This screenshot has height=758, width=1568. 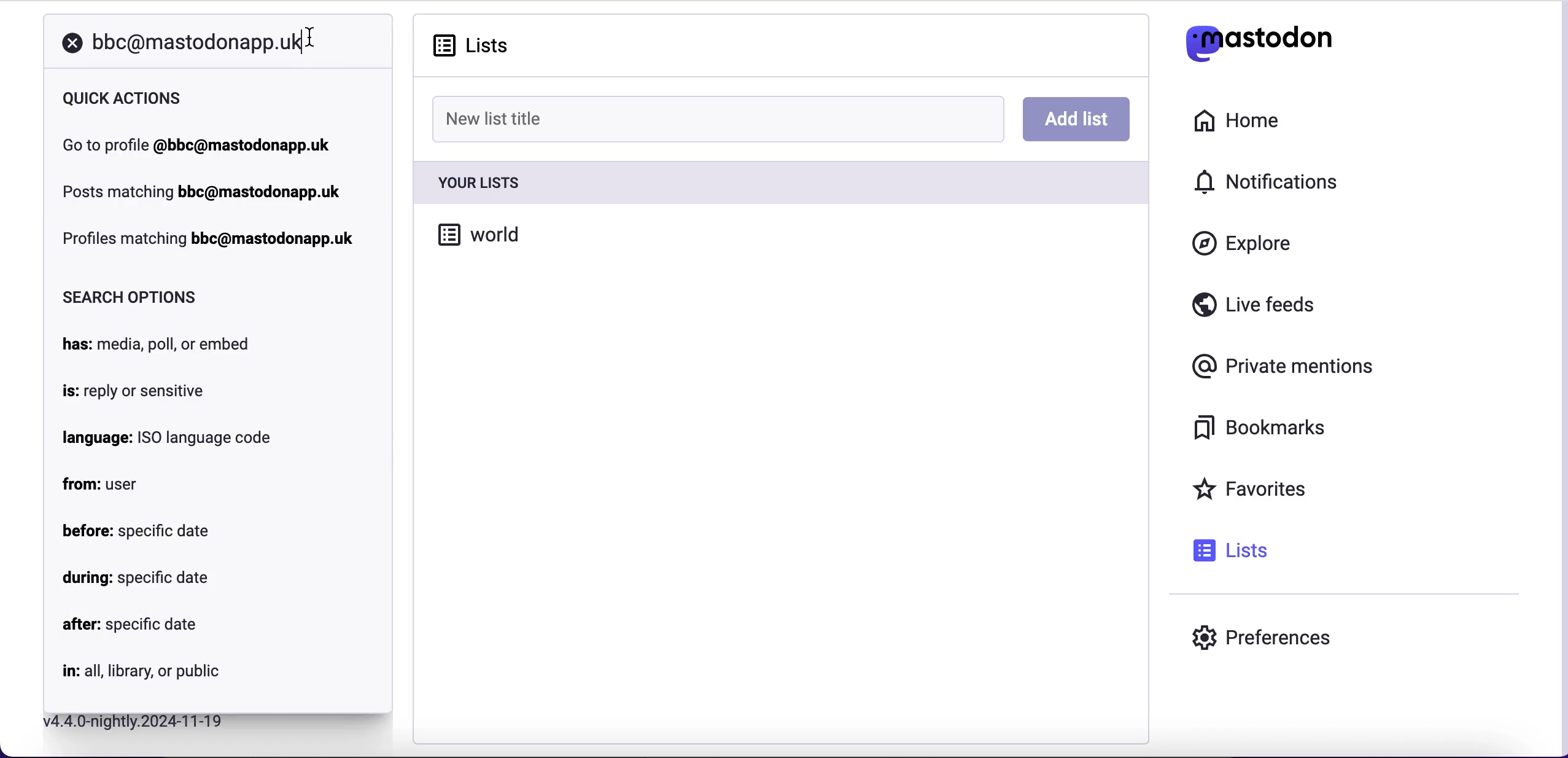 I want to click on post matching, so click(x=201, y=190).